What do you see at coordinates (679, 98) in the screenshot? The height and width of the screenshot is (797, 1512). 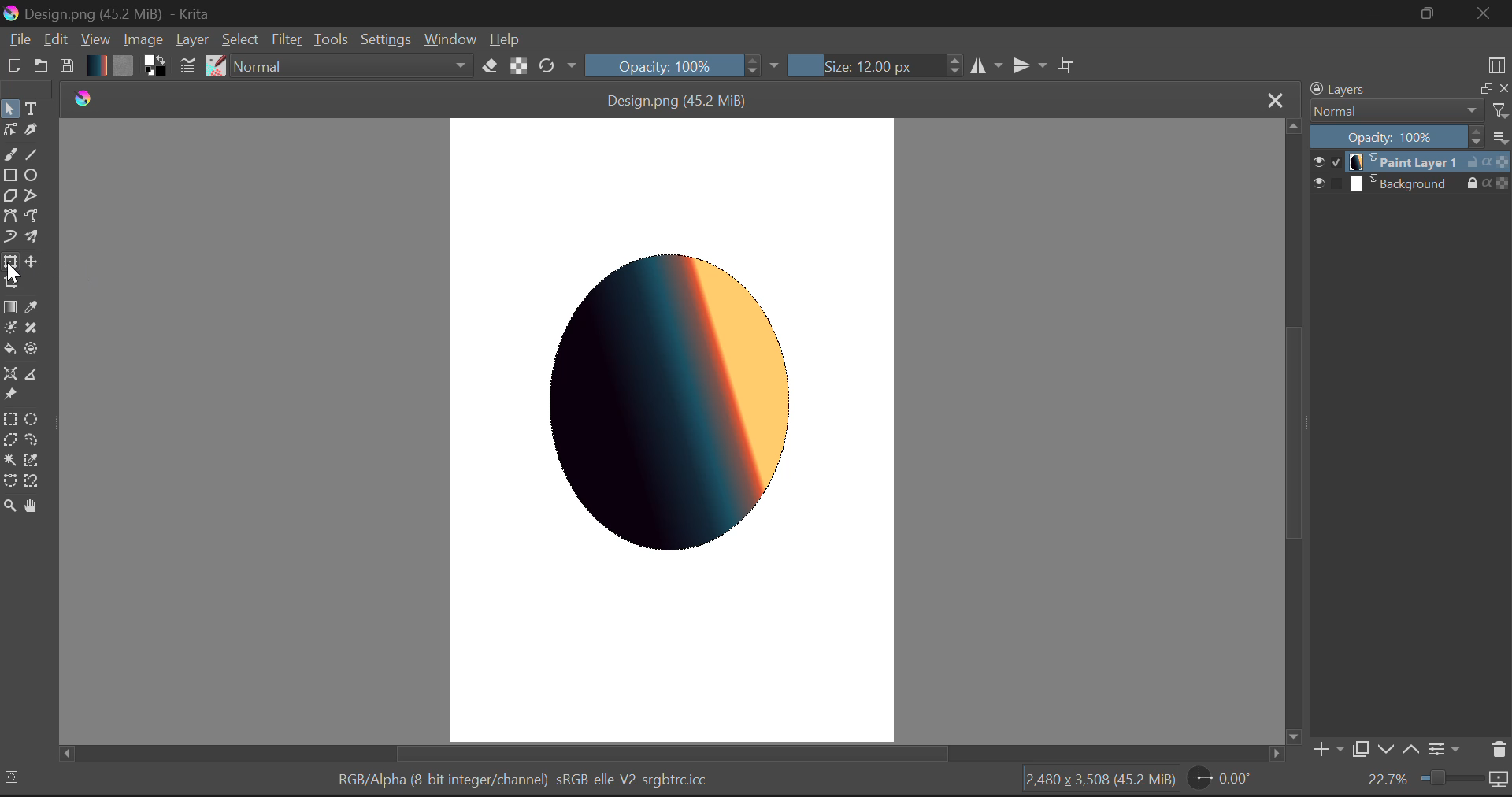 I see `File Name & Size` at bounding box center [679, 98].